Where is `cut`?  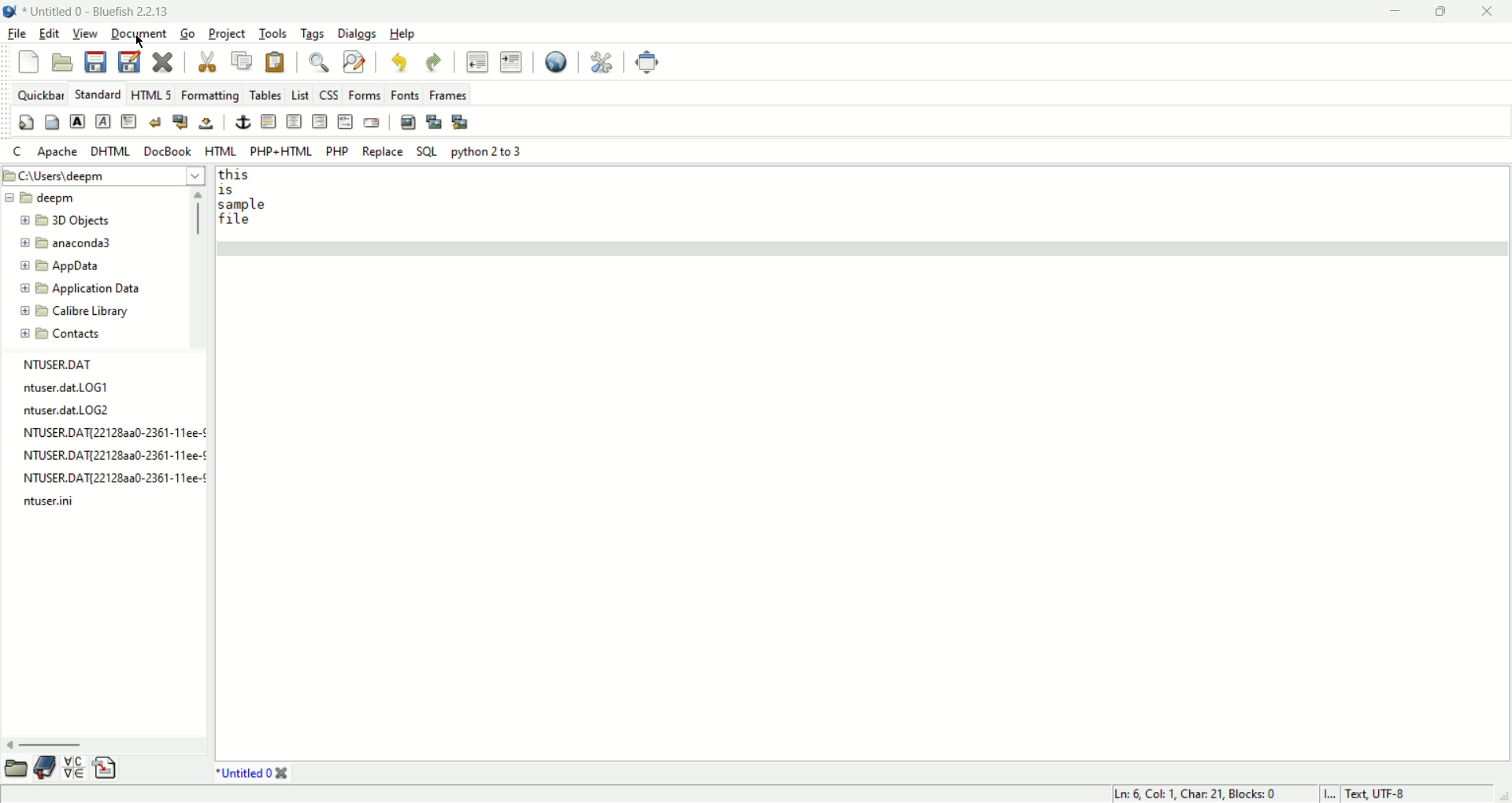 cut is located at coordinates (207, 60).